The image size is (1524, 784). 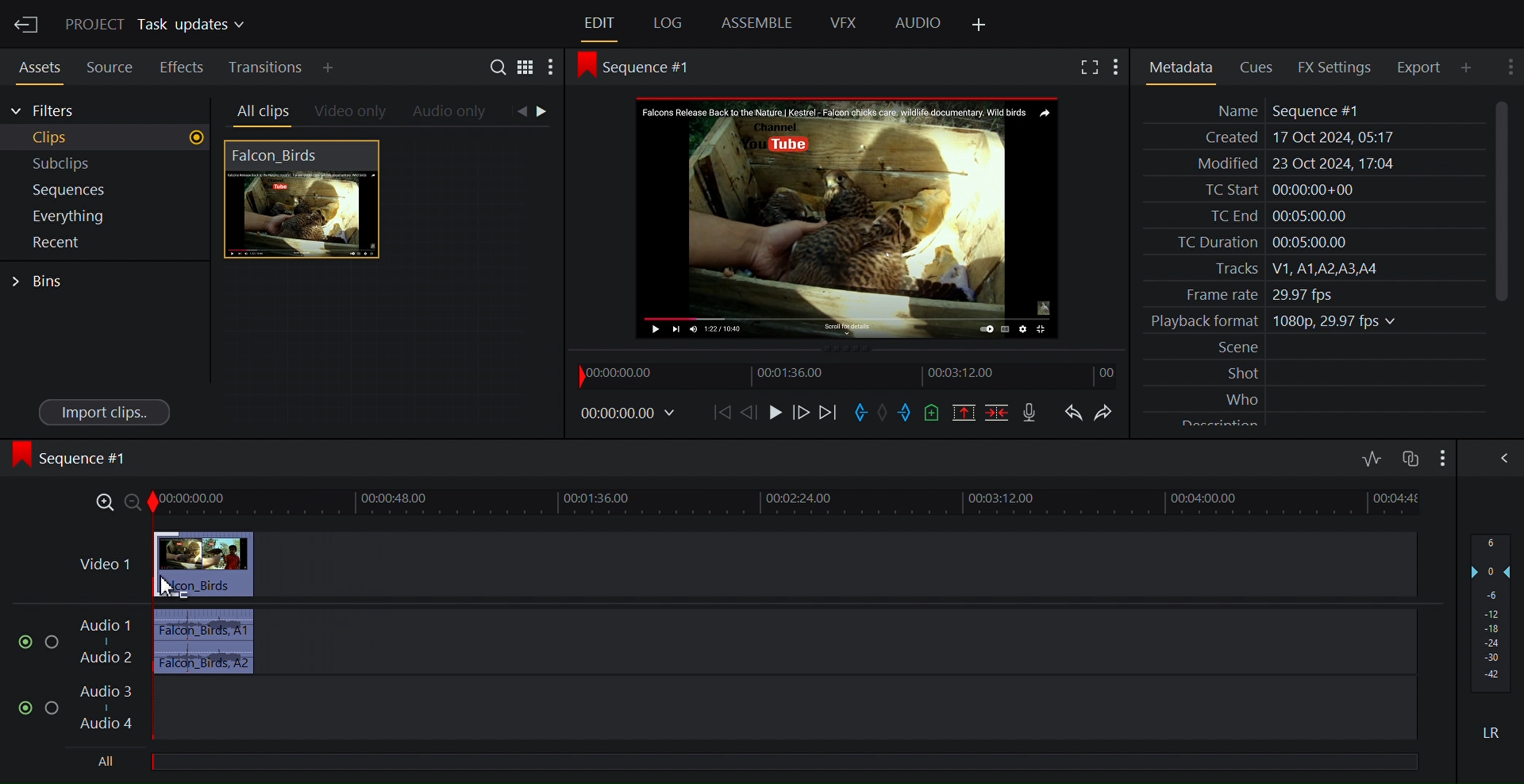 What do you see at coordinates (851, 376) in the screenshot?
I see `Timeline` at bounding box center [851, 376].